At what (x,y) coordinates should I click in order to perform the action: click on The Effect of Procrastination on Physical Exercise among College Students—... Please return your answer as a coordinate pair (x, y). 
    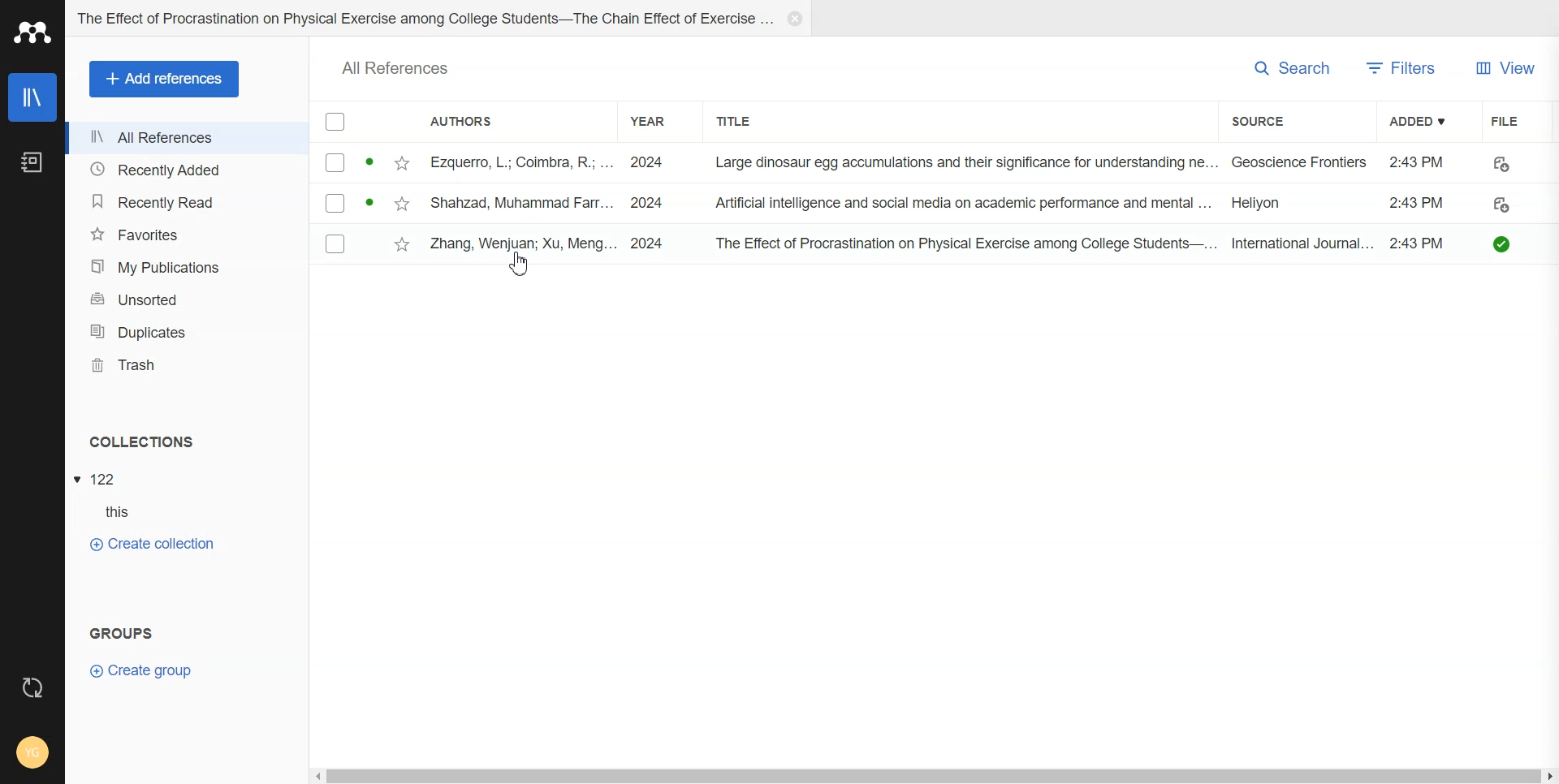
    Looking at the image, I should click on (961, 242).